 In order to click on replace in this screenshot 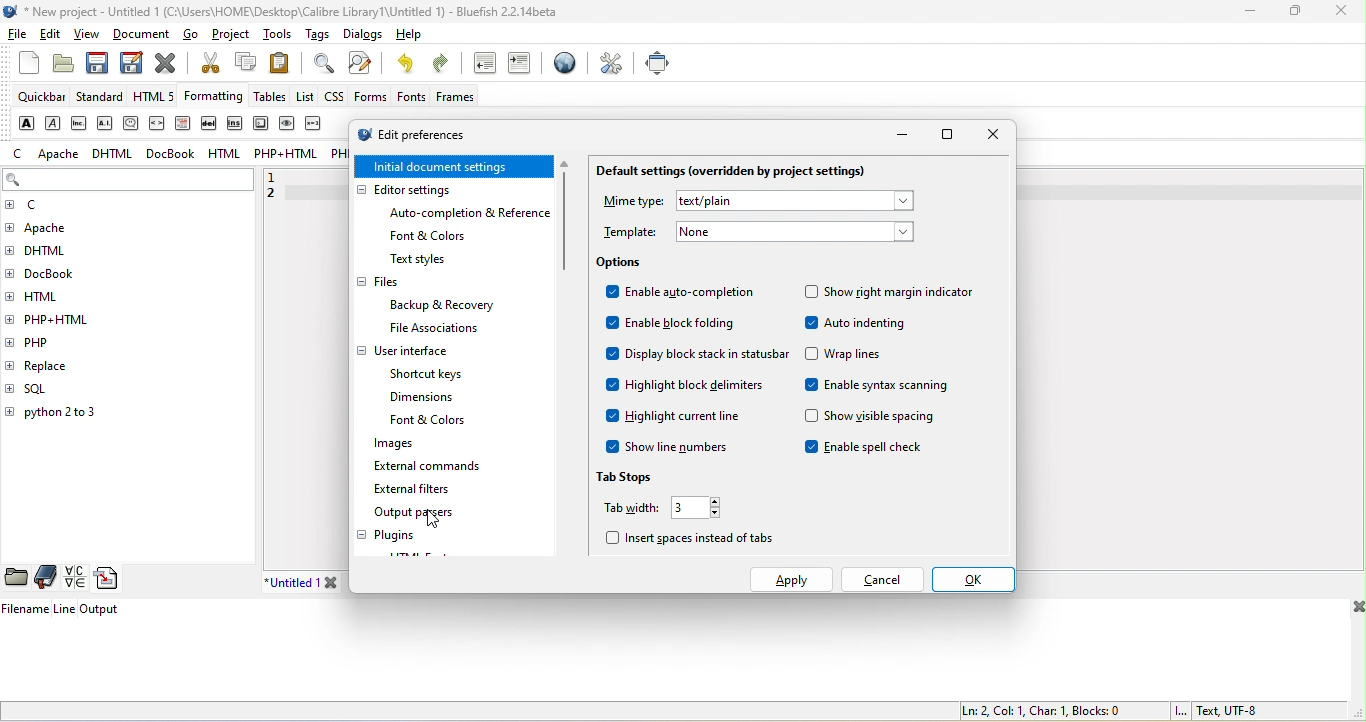, I will do `click(79, 363)`.